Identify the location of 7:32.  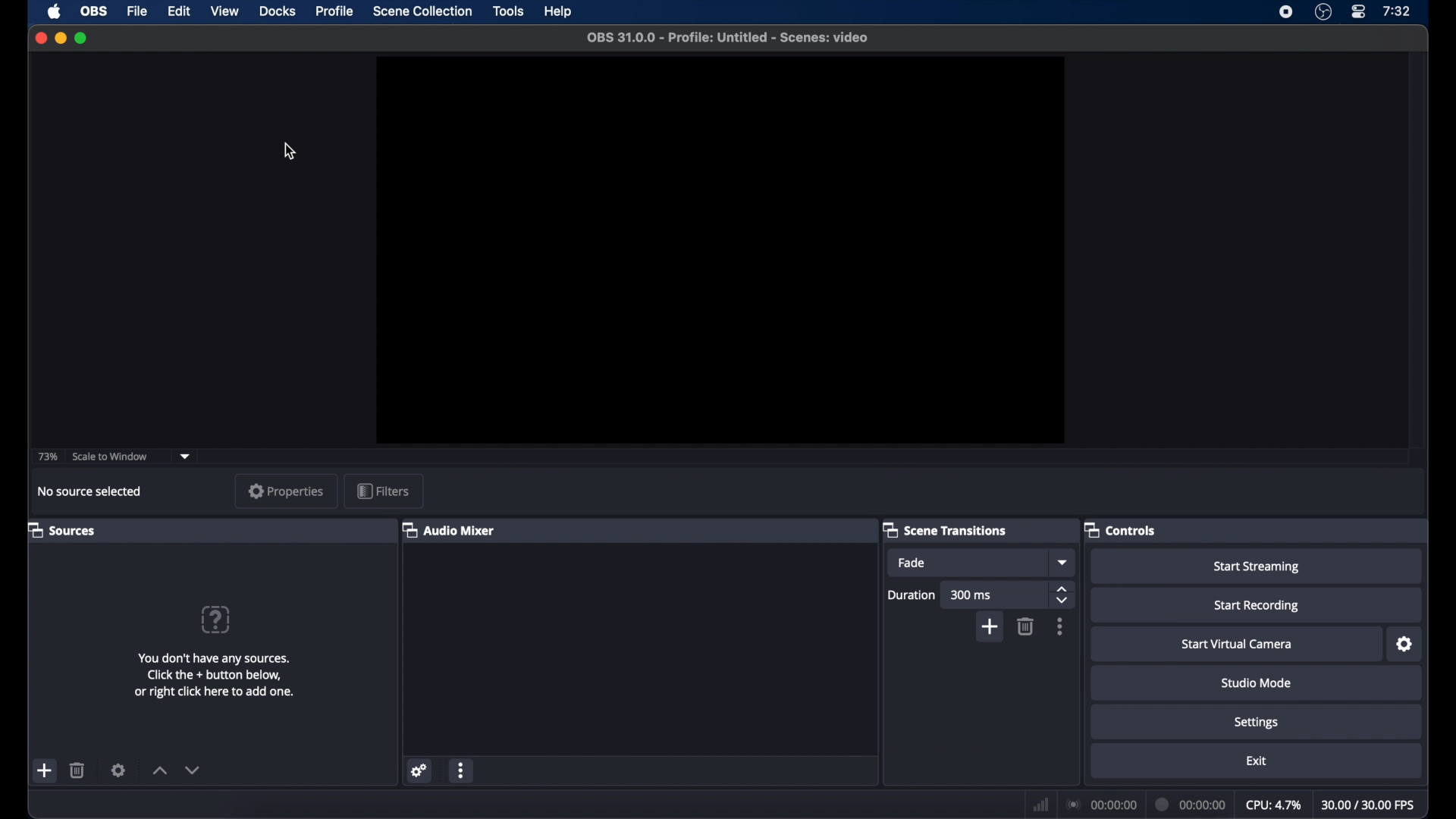
(1397, 11).